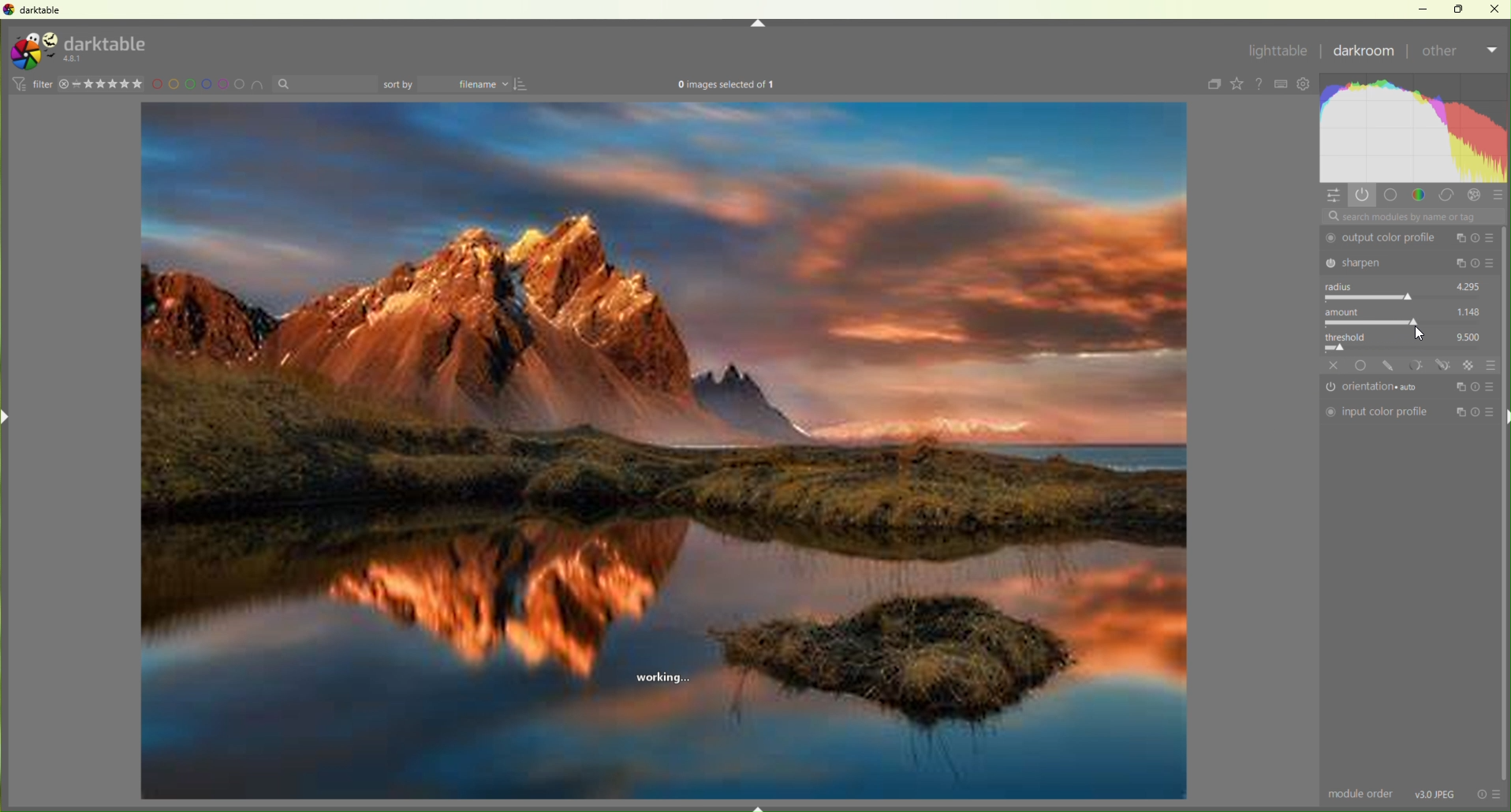  Describe the element at coordinates (1282, 84) in the screenshot. I see `shortcuts` at that location.